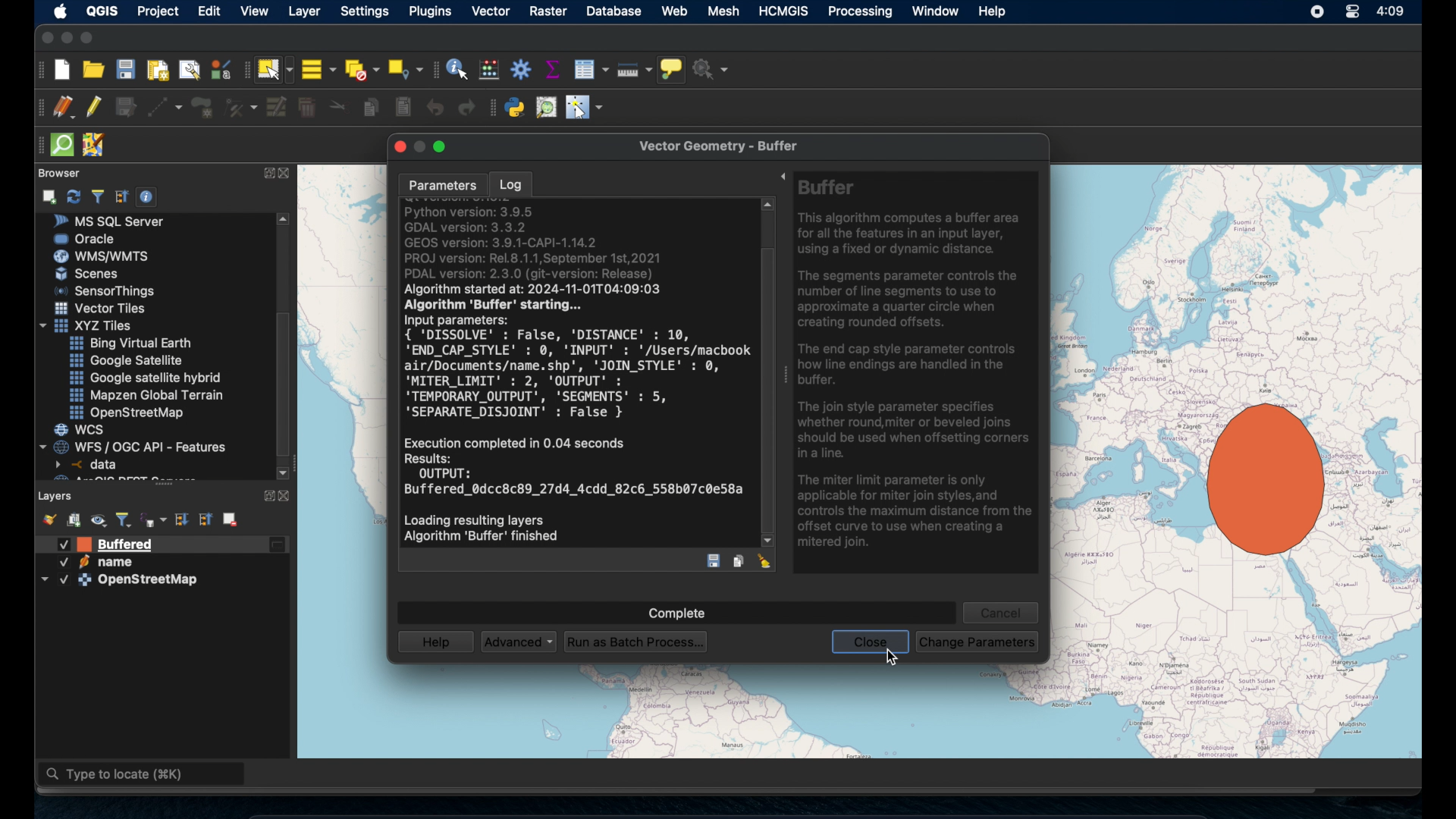 This screenshot has width=1456, height=819. What do you see at coordinates (421, 146) in the screenshot?
I see `inactive minimize button` at bounding box center [421, 146].